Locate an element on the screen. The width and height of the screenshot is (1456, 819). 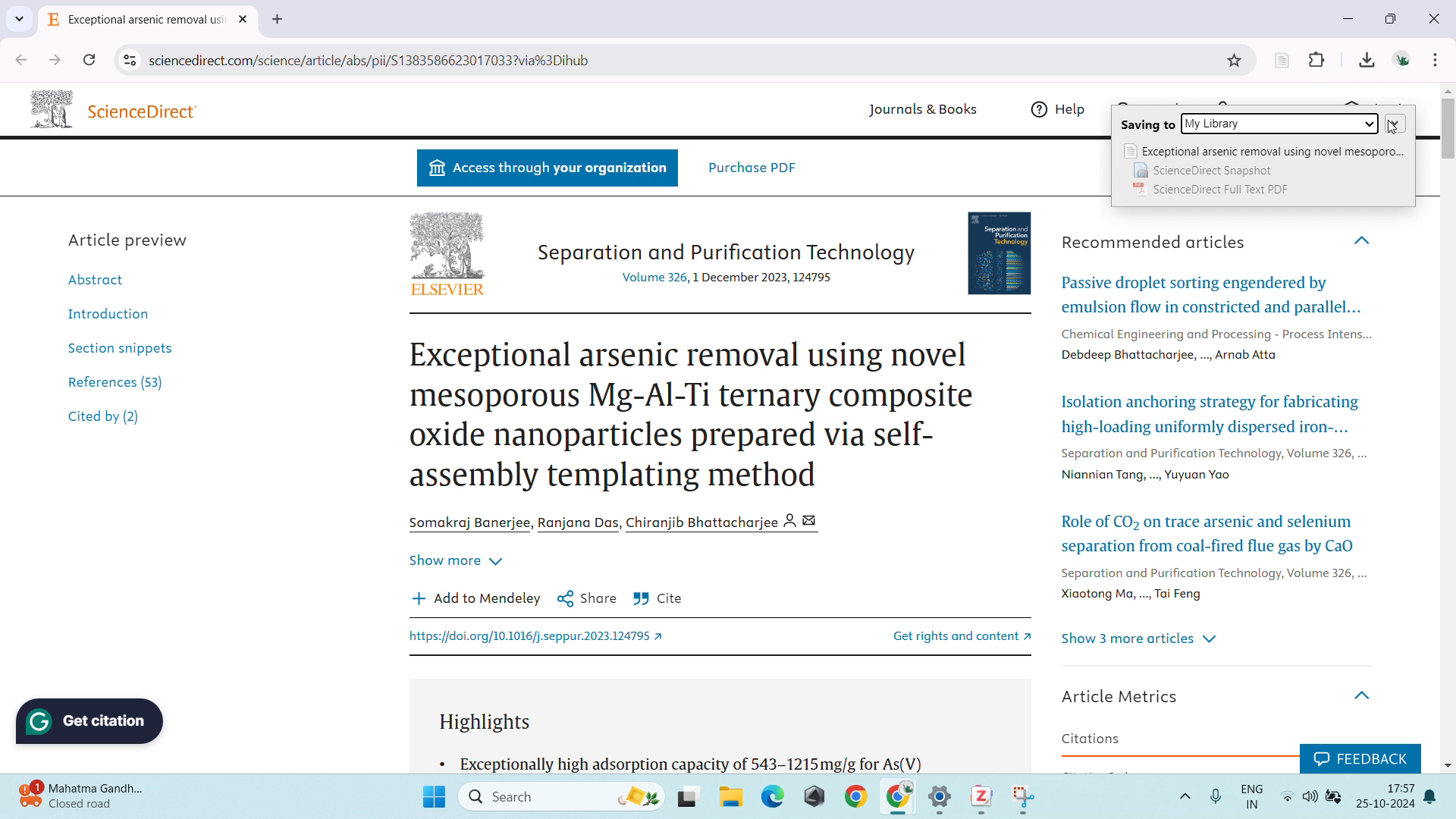
Get rights and content  is located at coordinates (944, 635).